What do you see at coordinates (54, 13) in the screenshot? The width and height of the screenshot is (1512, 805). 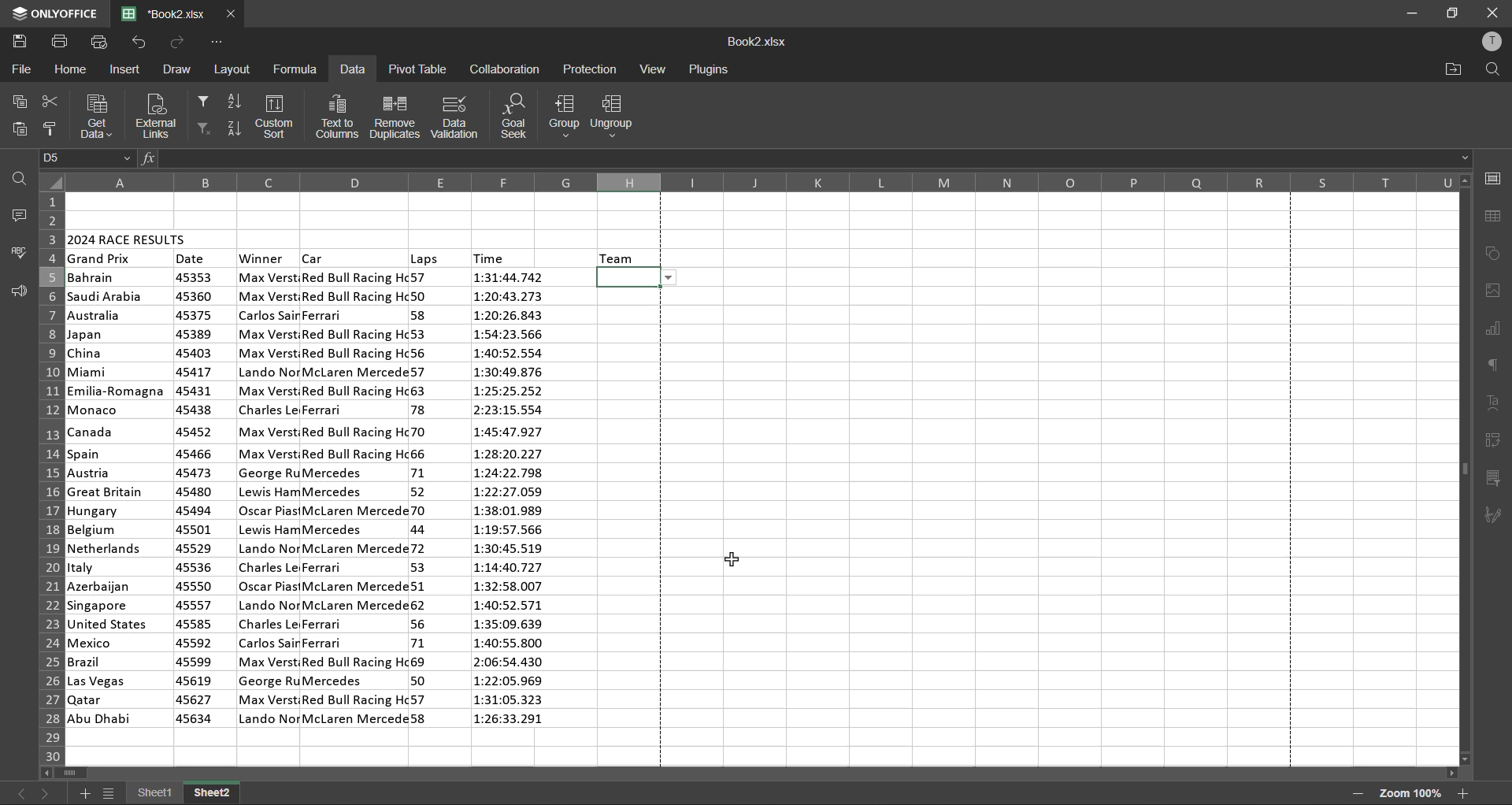 I see `app name` at bounding box center [54, 13].